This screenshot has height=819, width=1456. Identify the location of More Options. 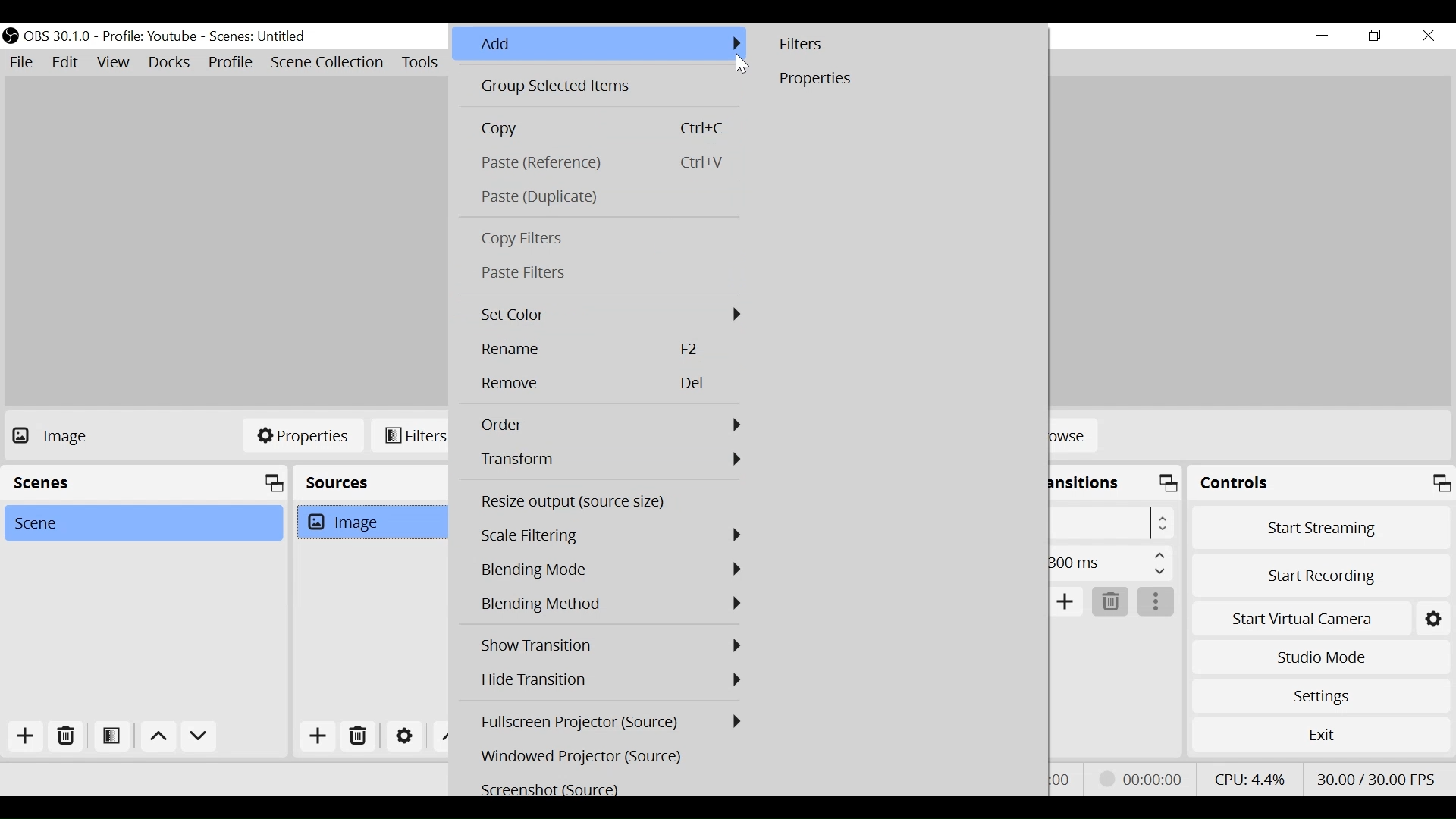
(1155, 601).